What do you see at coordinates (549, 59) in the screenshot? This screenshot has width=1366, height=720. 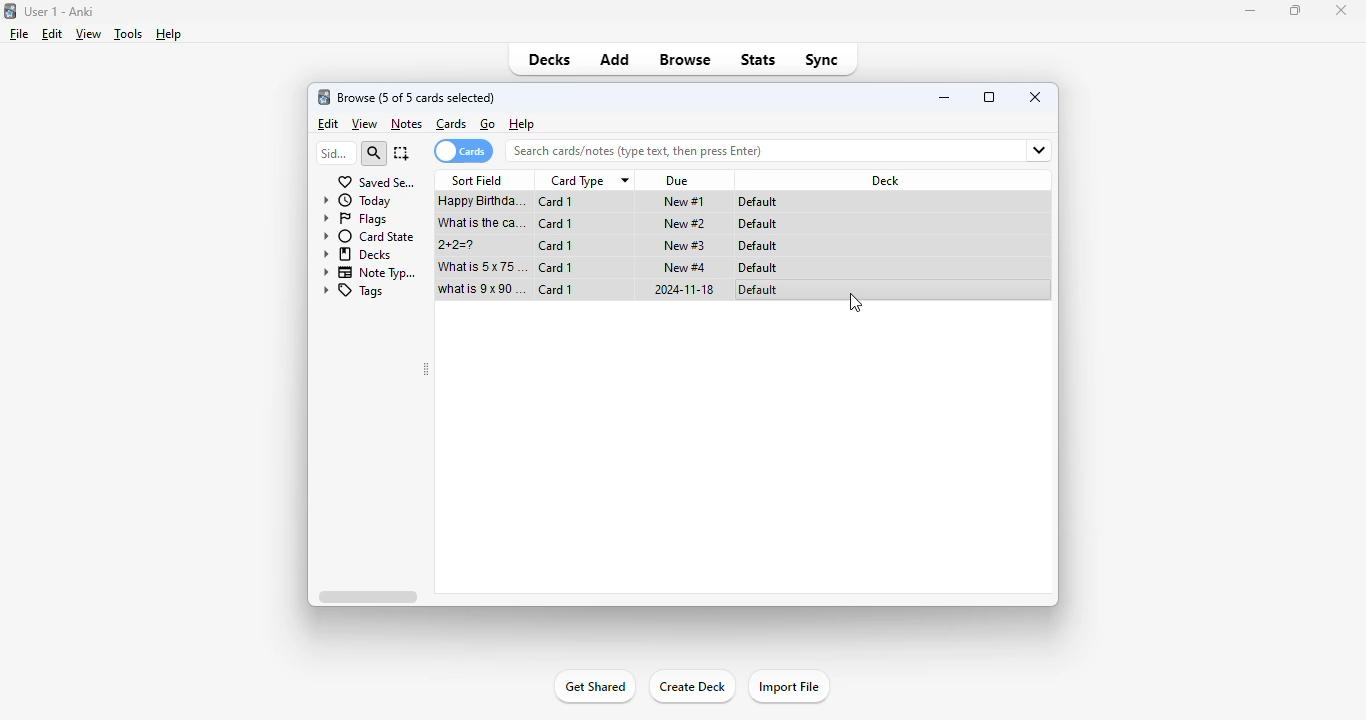 I see `decks` at bounding box center [549, 59].